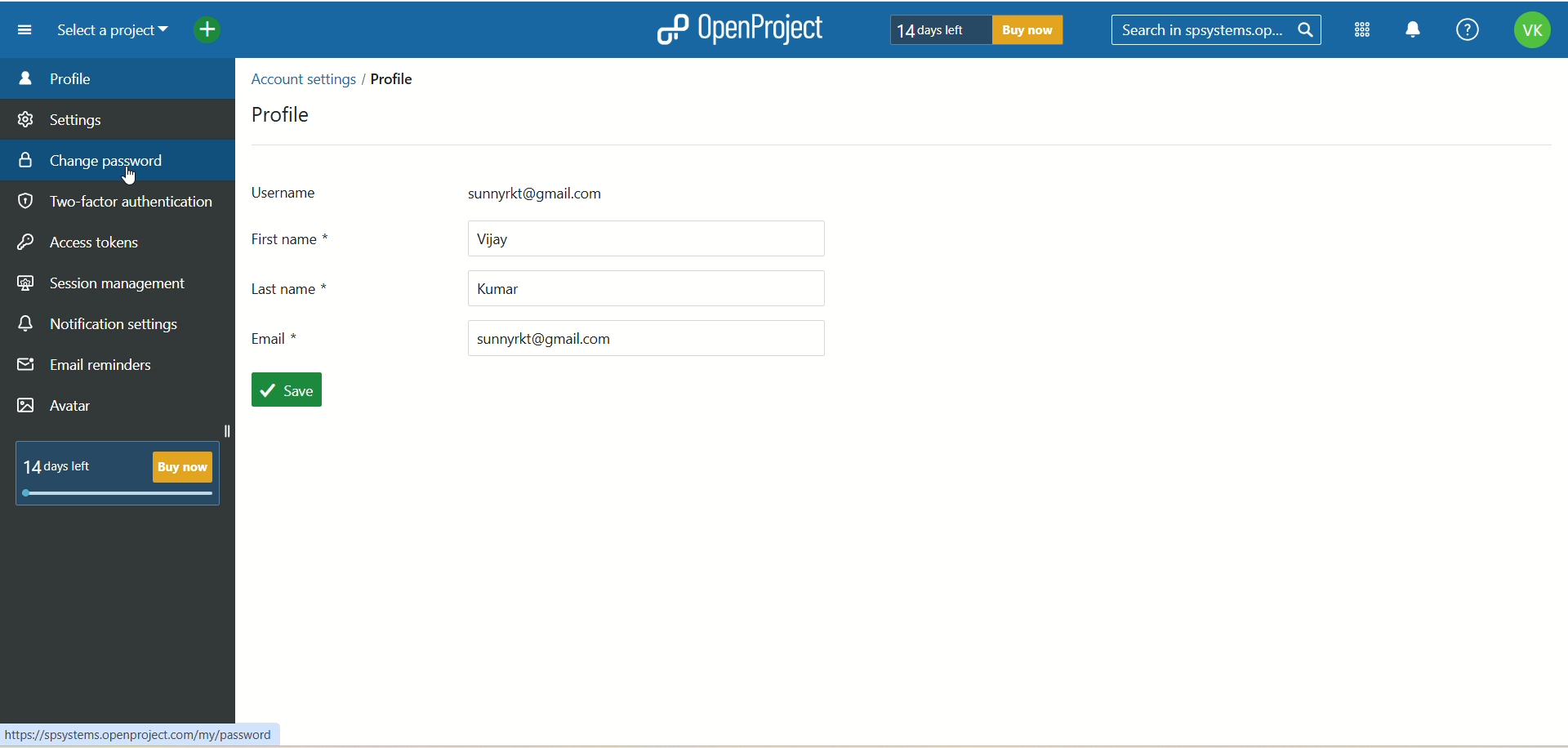  Describe the element at coordinates (275, 113) in the screenshot. I see `profile` at that location.